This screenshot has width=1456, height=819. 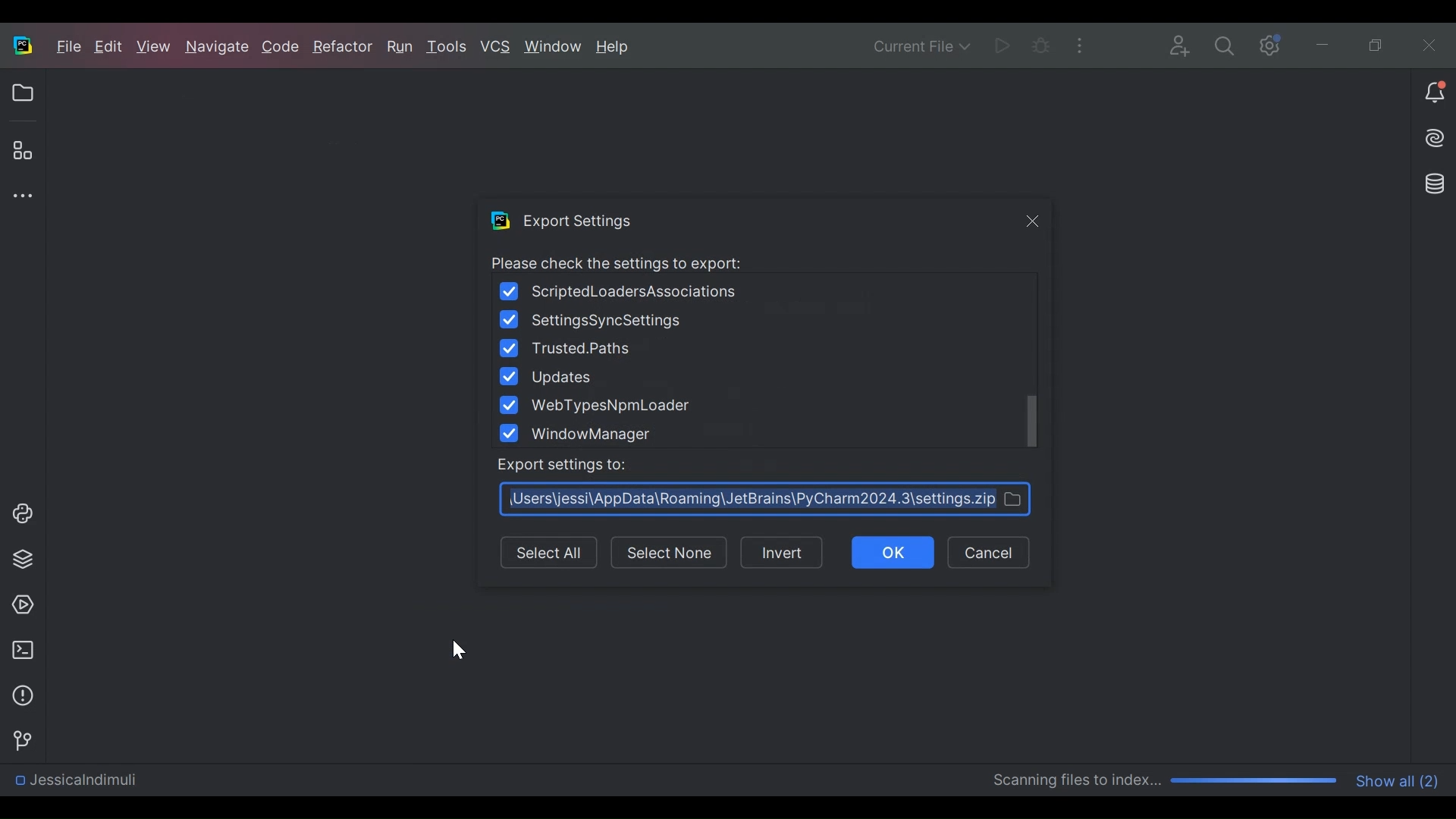 What do you see at coordinates (551, 554) in the screenshot?
I see `Select All` at bounding box center [551, 554].